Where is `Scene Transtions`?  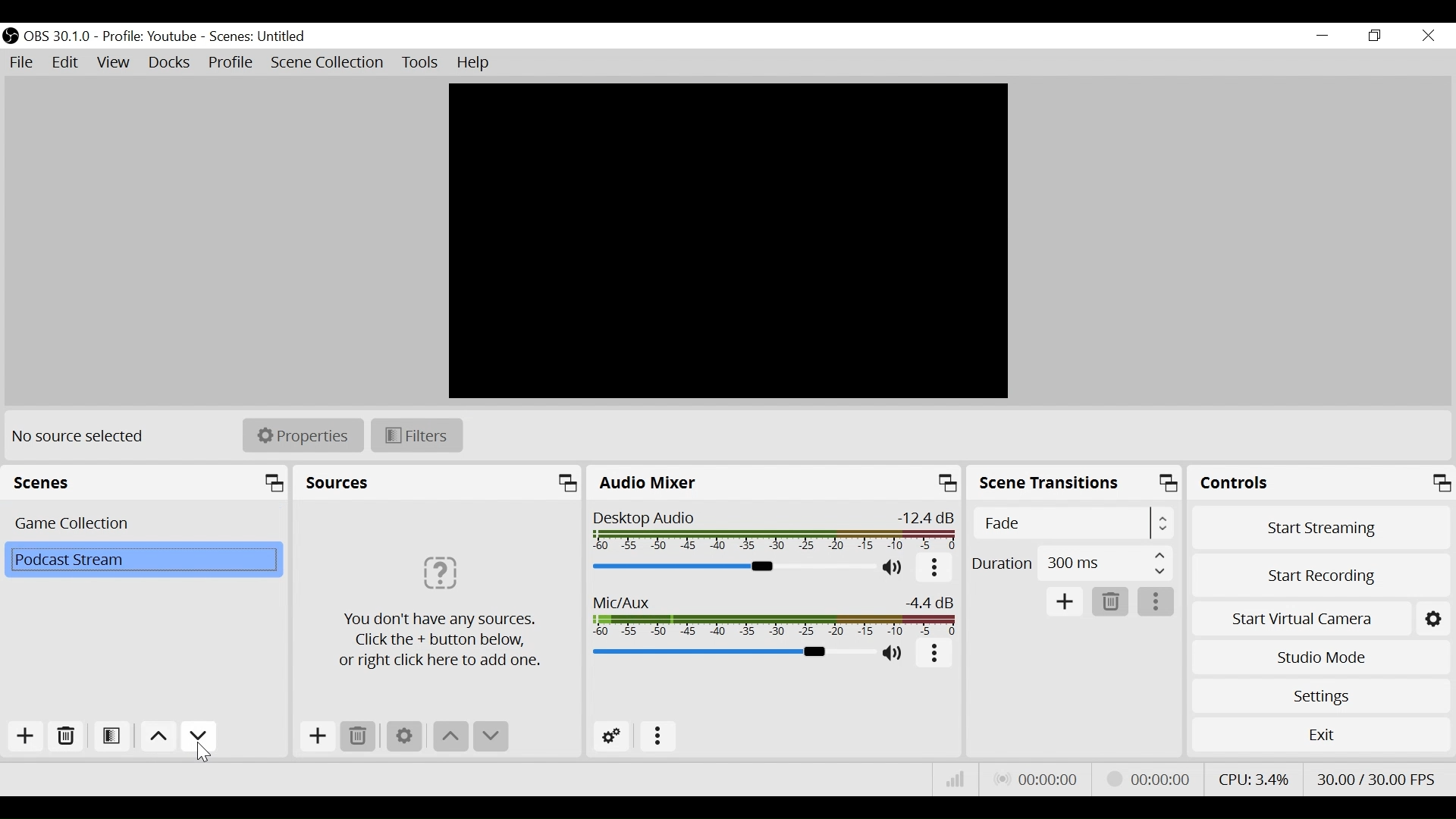
Scene Transtions is located at coordinates (1075, 483).